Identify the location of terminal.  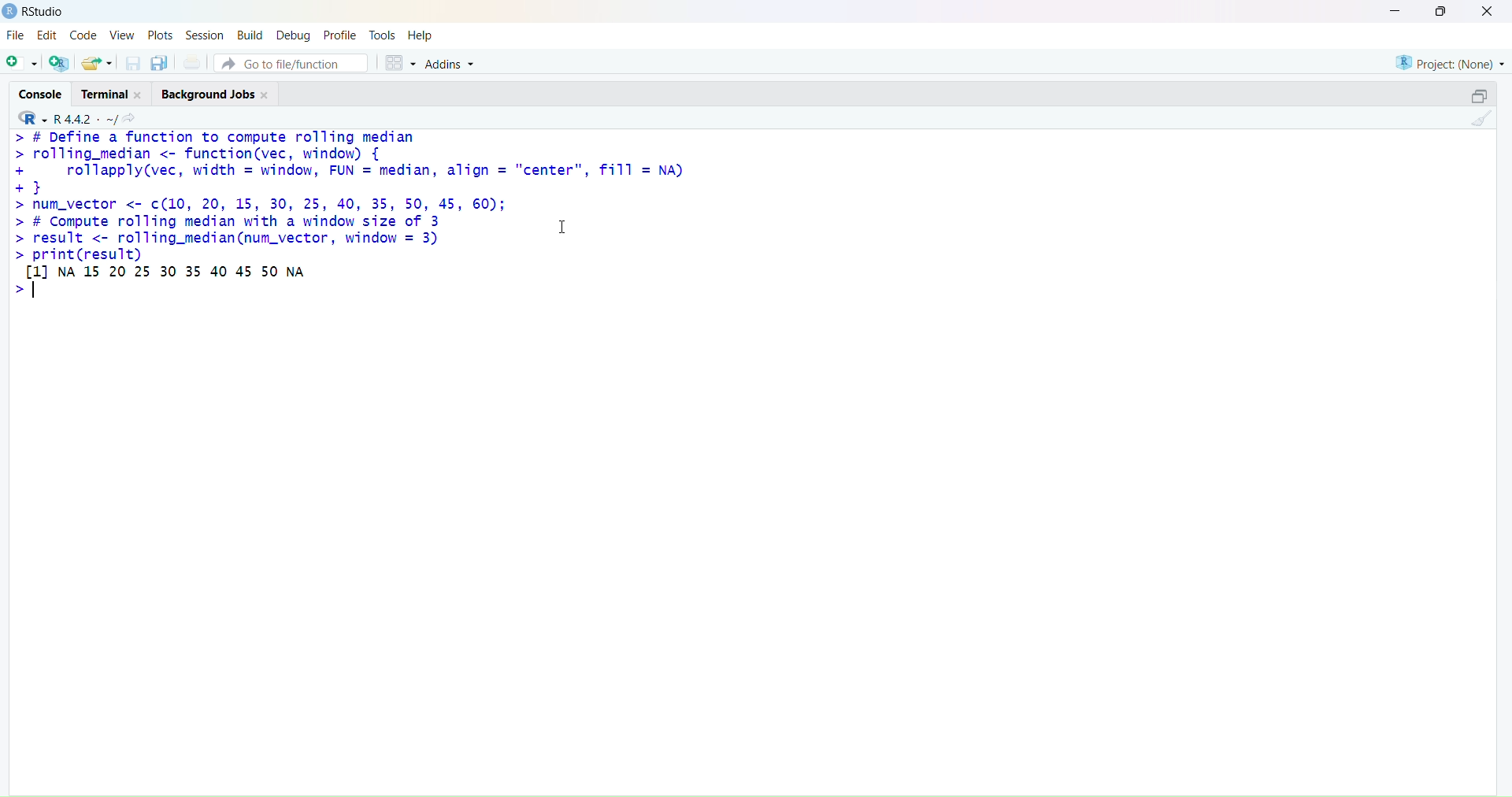
(104, 95).